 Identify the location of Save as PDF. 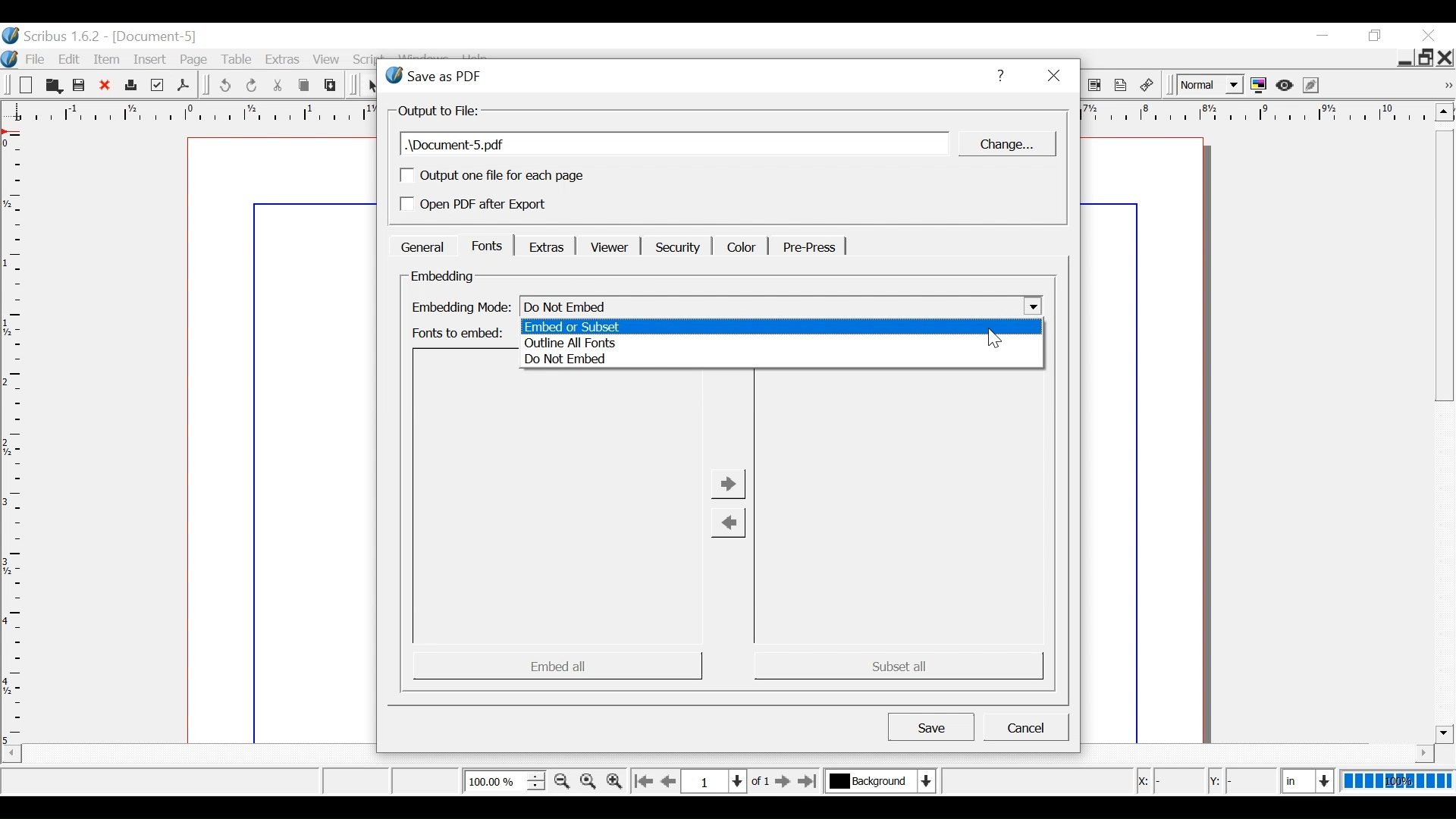
(183, 85).